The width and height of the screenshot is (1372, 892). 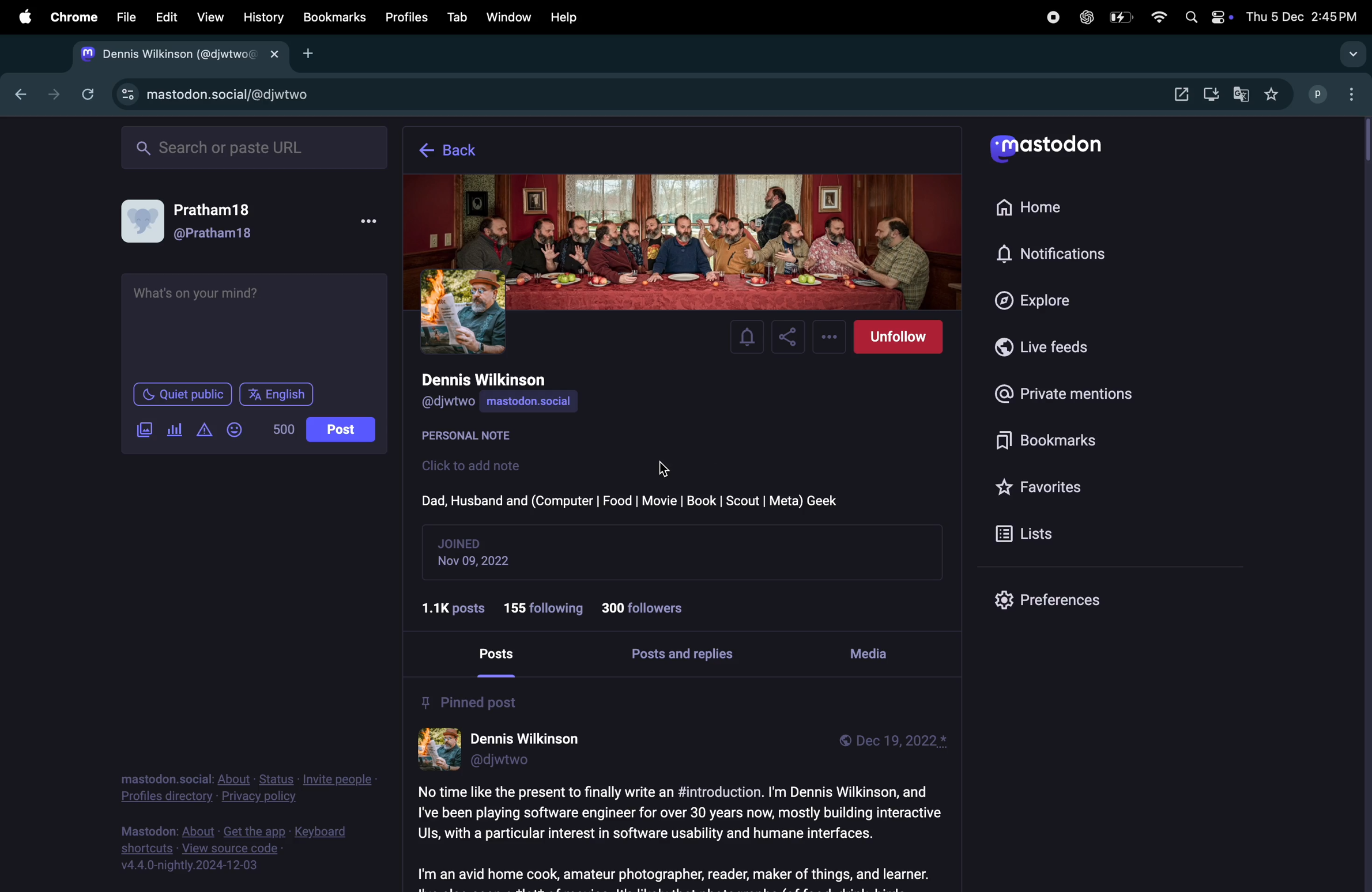 I want to click on date, so click(x=900, y=742).